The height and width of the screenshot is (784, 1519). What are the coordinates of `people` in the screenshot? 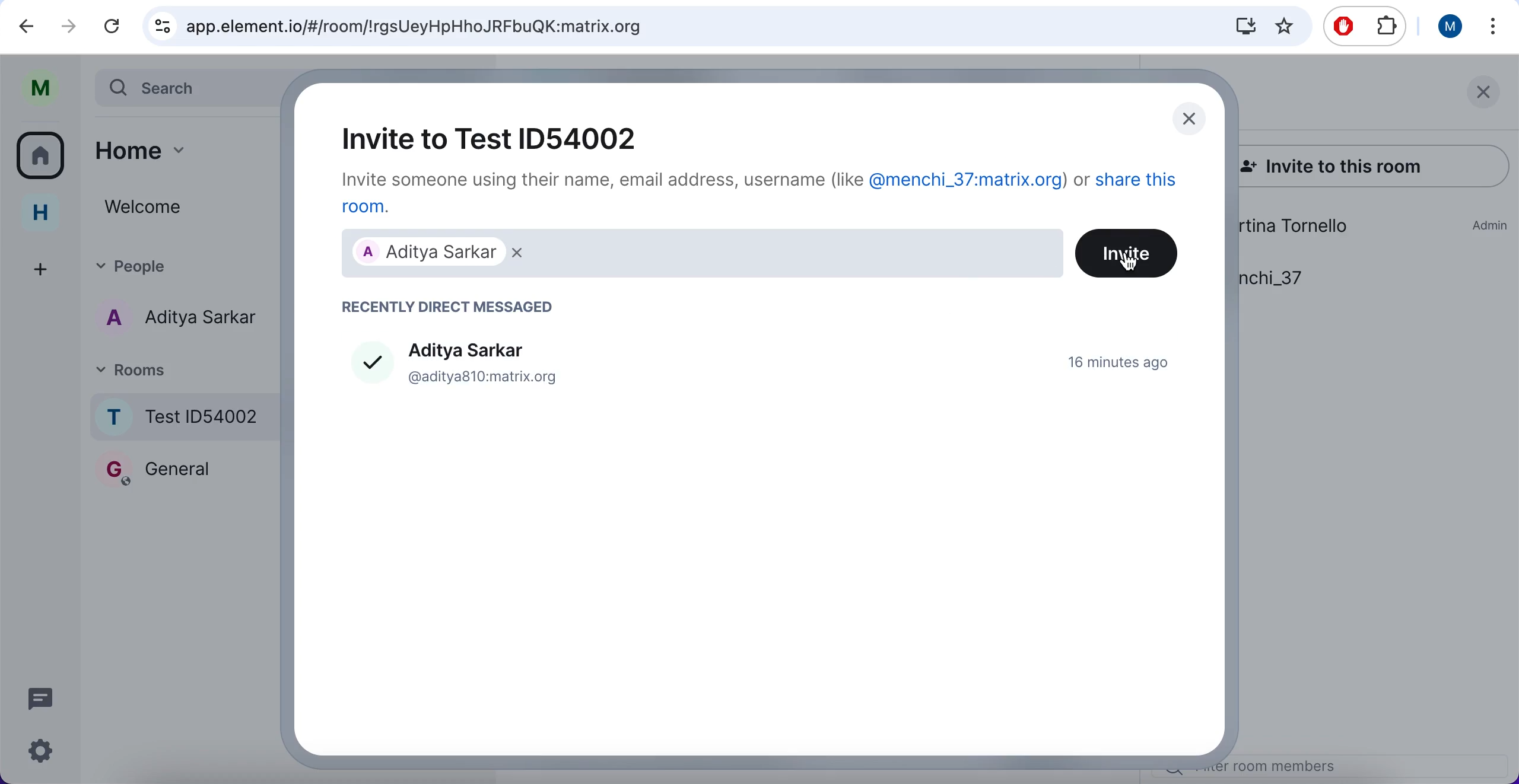 It's located at (184, 261).